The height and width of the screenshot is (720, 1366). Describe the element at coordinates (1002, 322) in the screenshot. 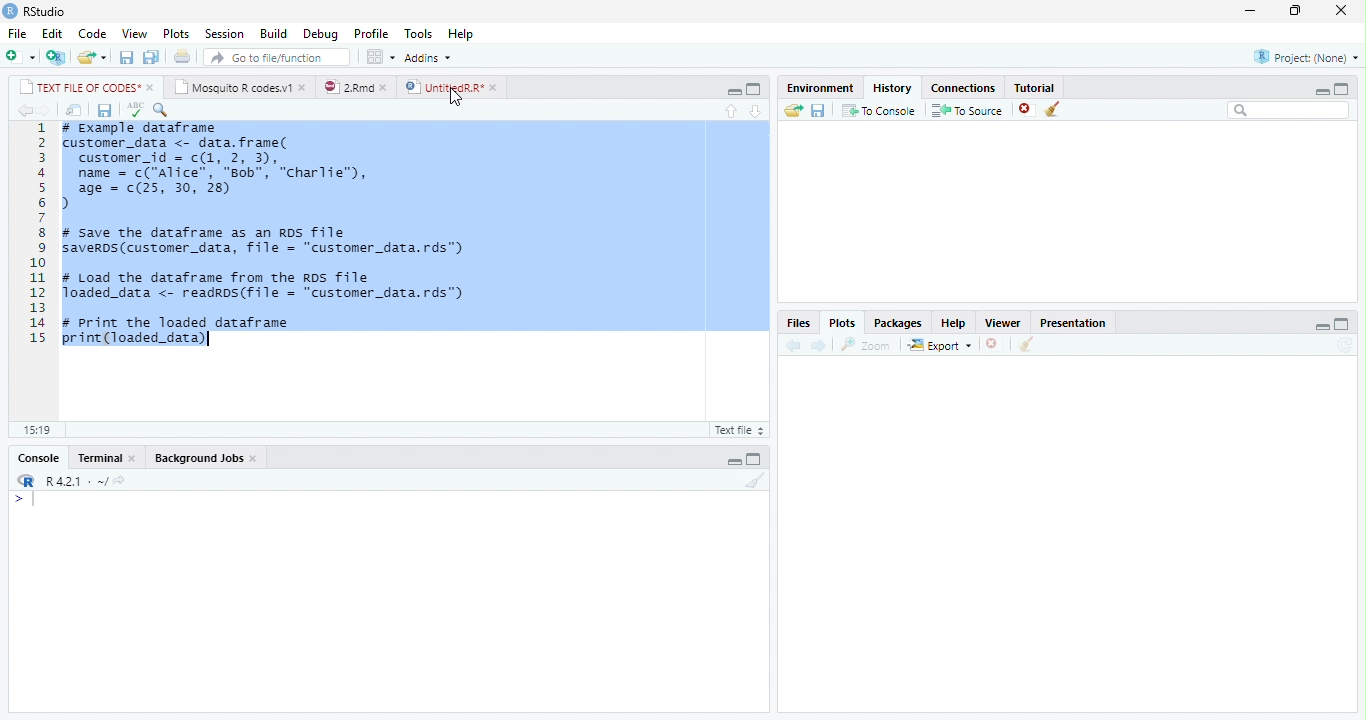

I see `Viewer` at that location.